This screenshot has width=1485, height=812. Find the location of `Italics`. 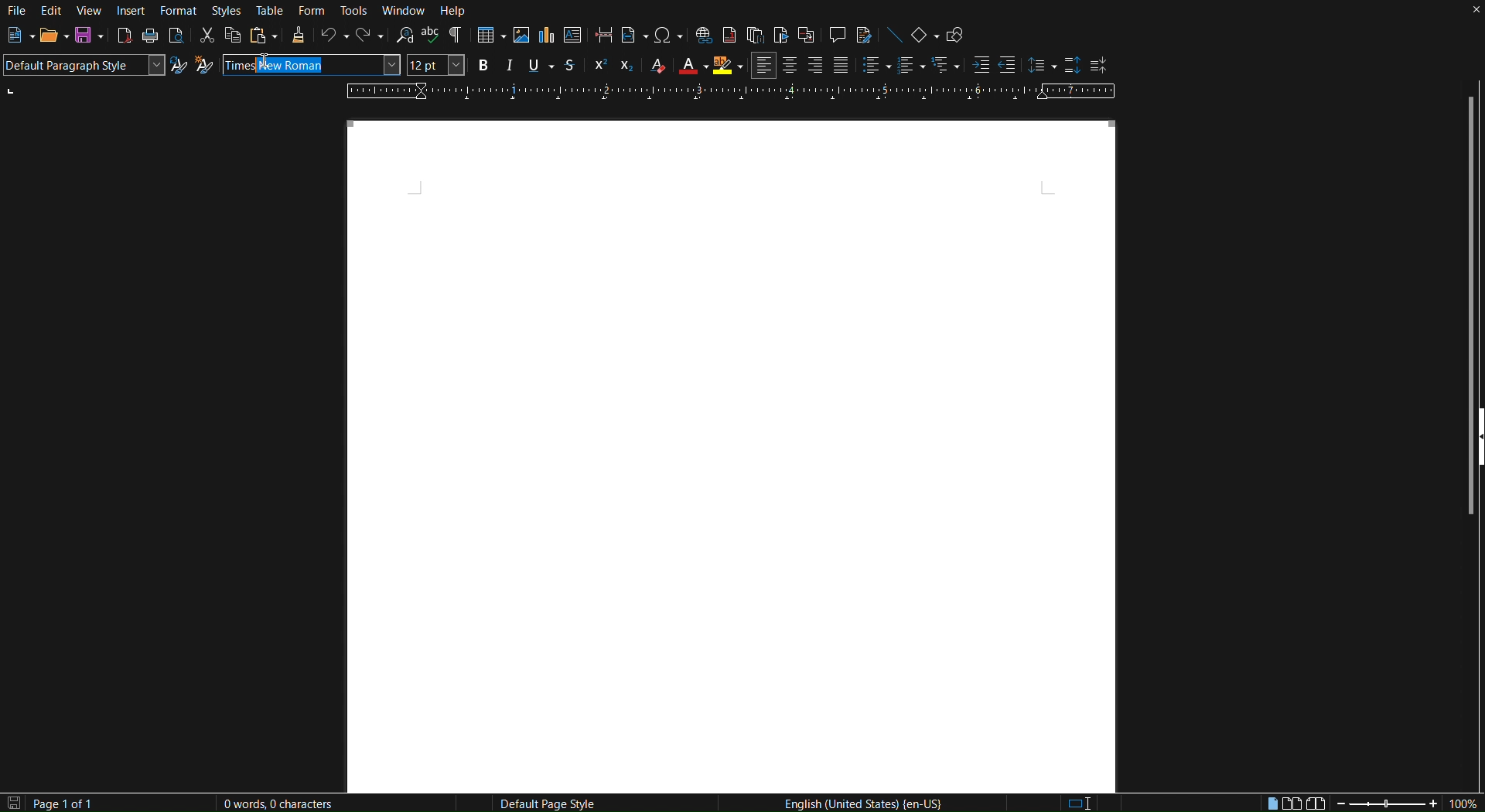

Italics is located at coordinates (510, 65).